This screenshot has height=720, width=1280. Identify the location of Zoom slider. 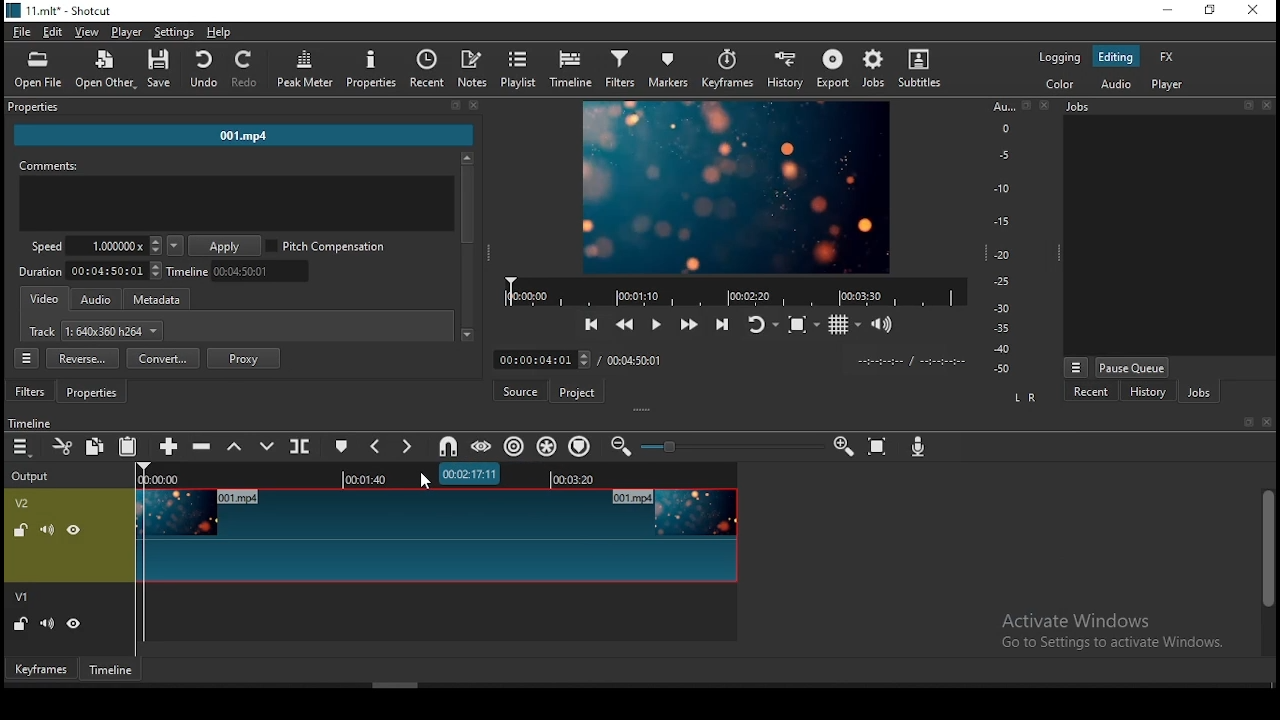
(729, 446).